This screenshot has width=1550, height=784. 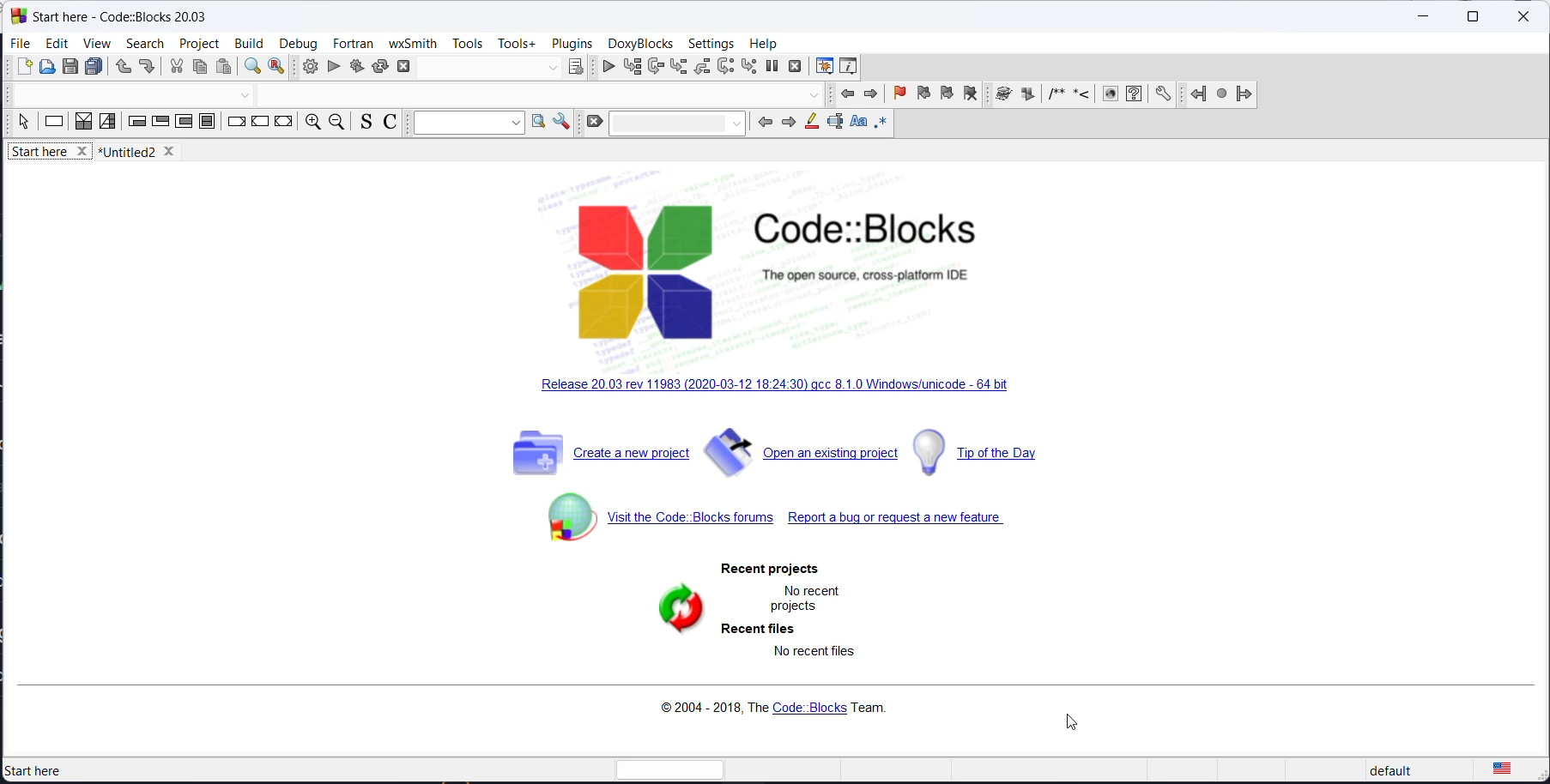 What do you see at coordinates (176, 68) in the screenshot?
I see `cut` at bounding box center [176, 68].